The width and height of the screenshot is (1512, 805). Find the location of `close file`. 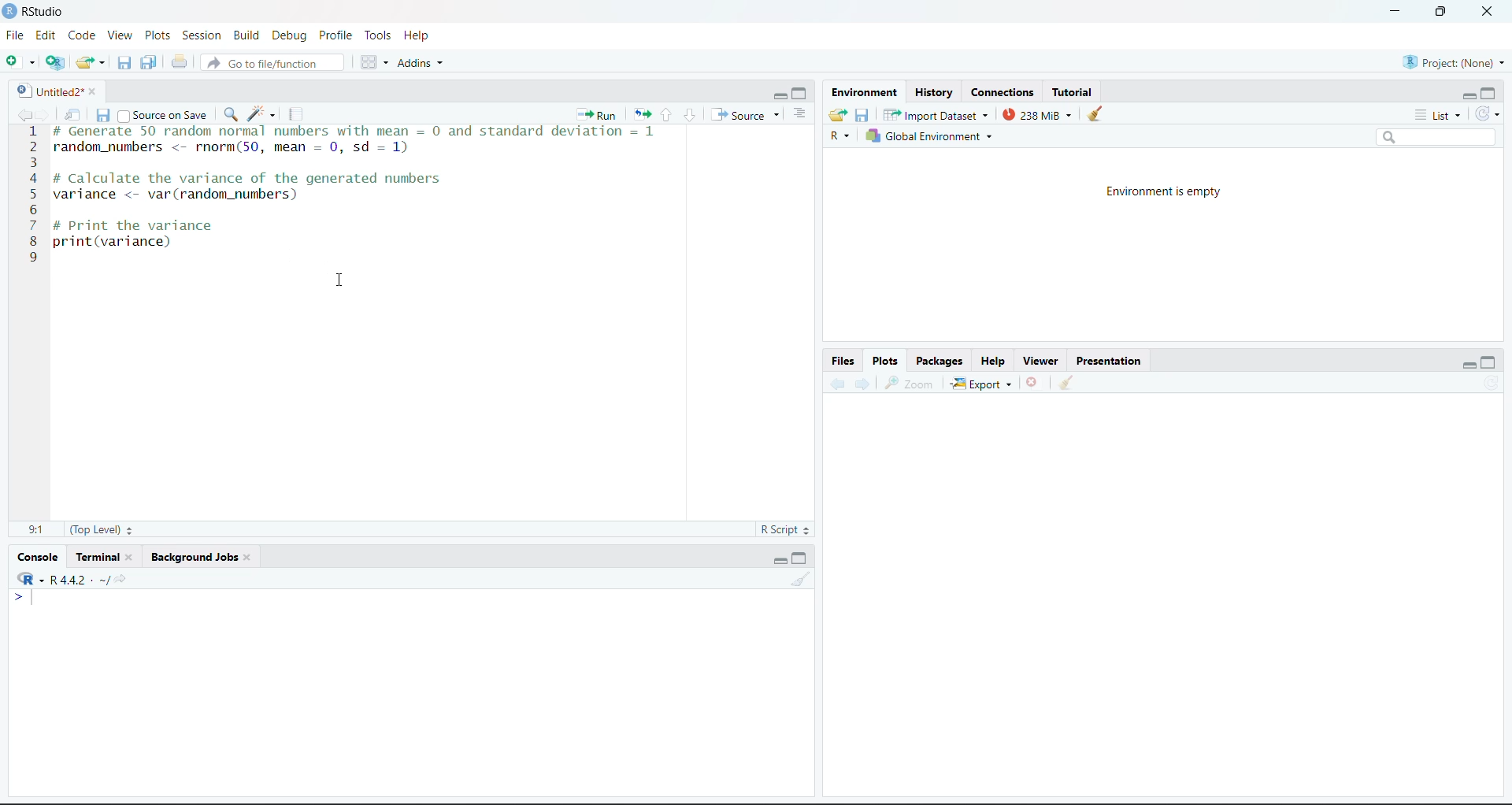

close file is located at coordinates (1033, 382).